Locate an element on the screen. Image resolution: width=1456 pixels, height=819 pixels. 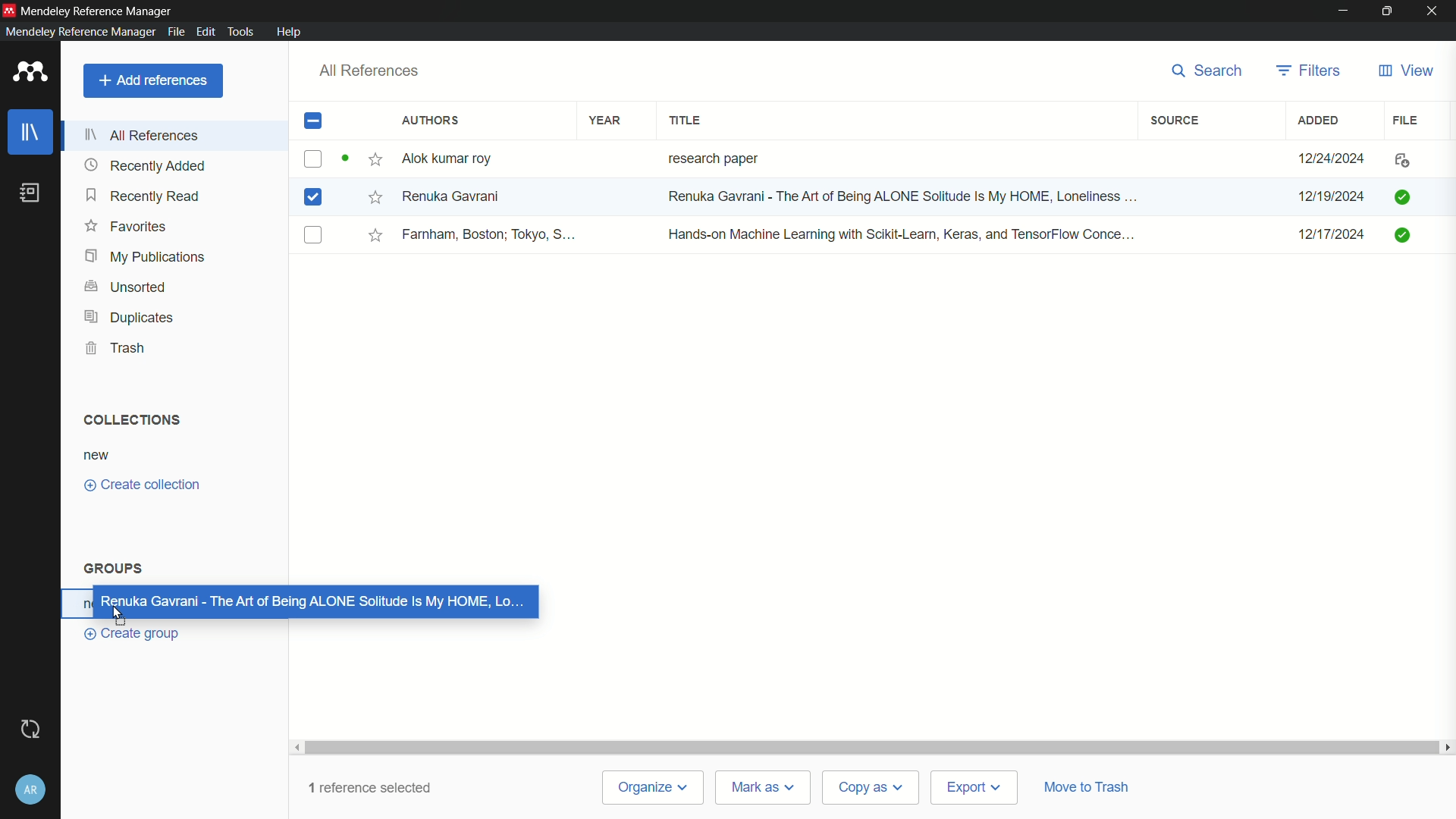
Star is located at coordinates (376, 235).